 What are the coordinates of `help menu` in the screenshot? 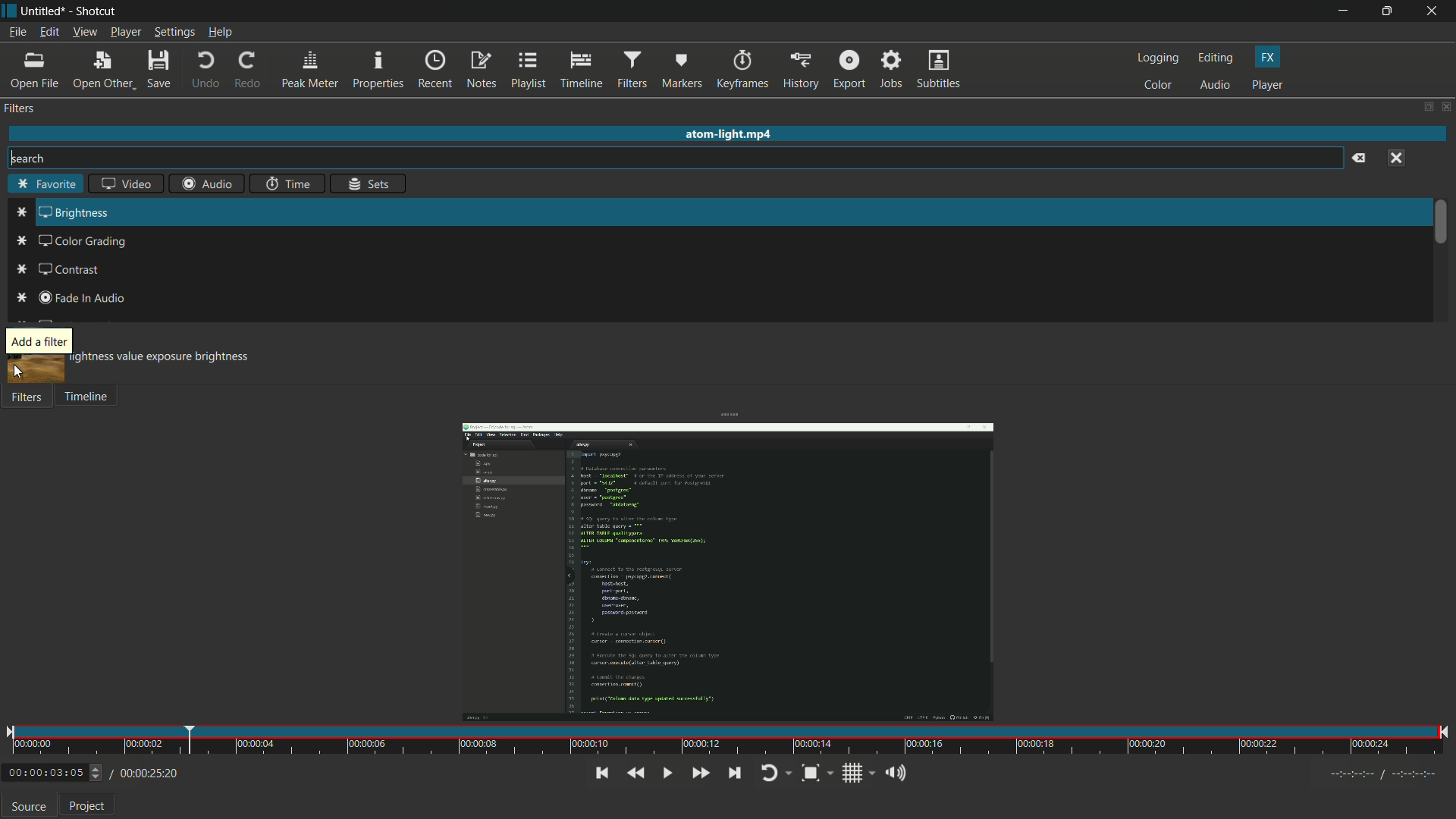 It's located at (221, 33).